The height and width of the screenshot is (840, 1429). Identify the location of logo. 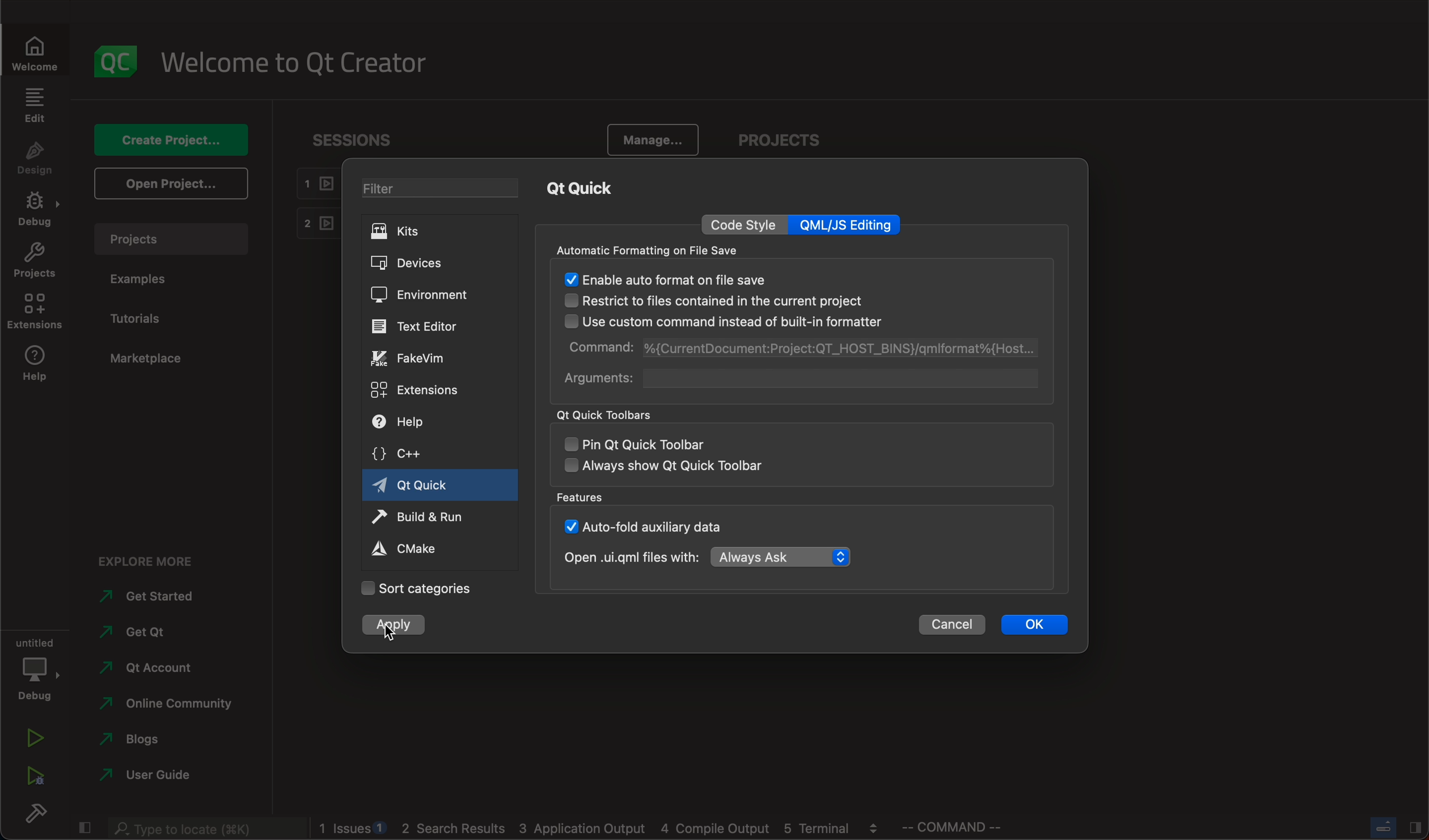
(116, 63).